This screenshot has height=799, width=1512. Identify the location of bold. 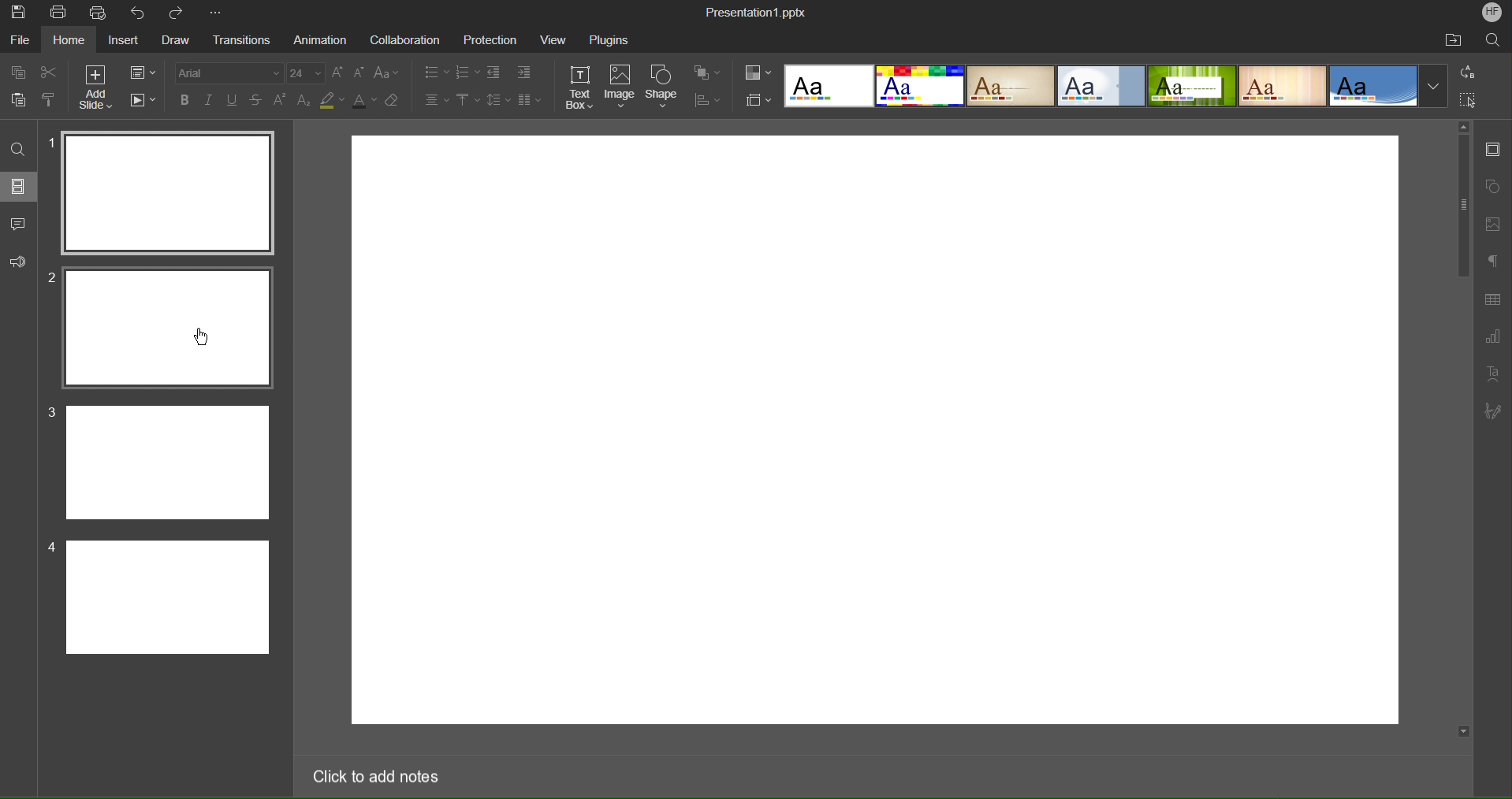
(182, 99).